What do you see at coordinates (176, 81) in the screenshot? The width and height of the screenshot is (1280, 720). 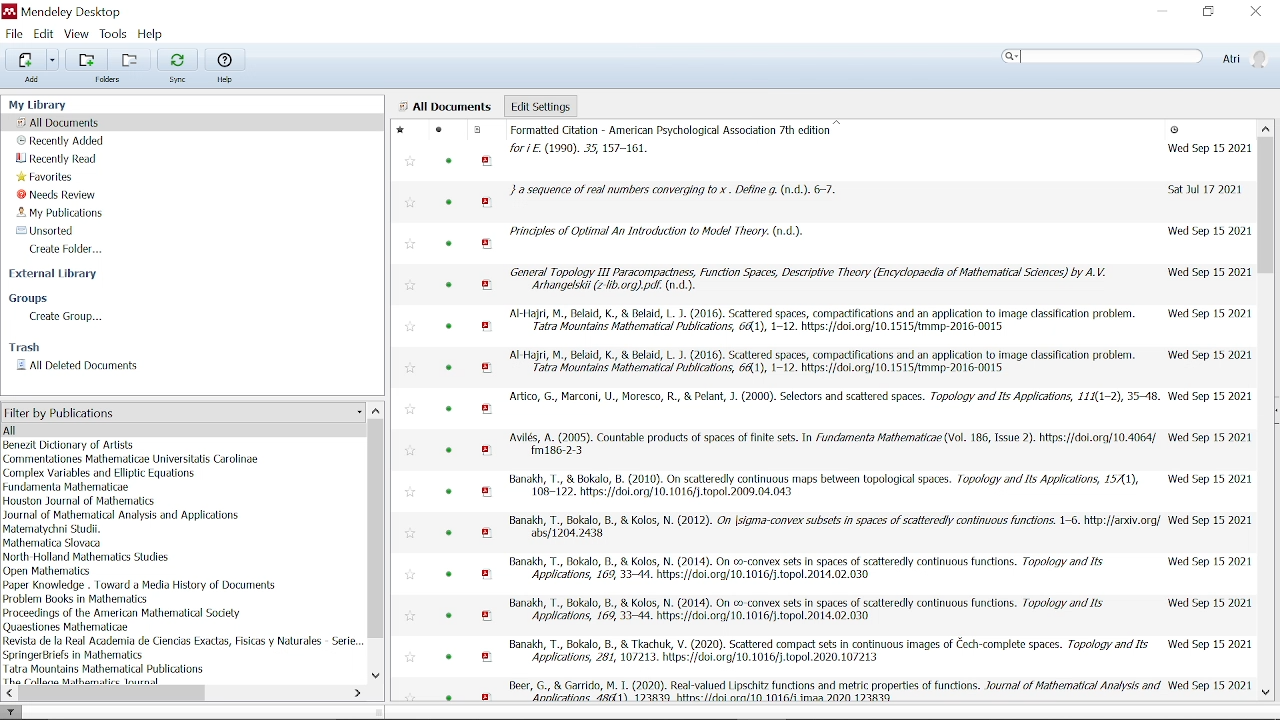 I see `Sync` at bounding box center [176, 81].